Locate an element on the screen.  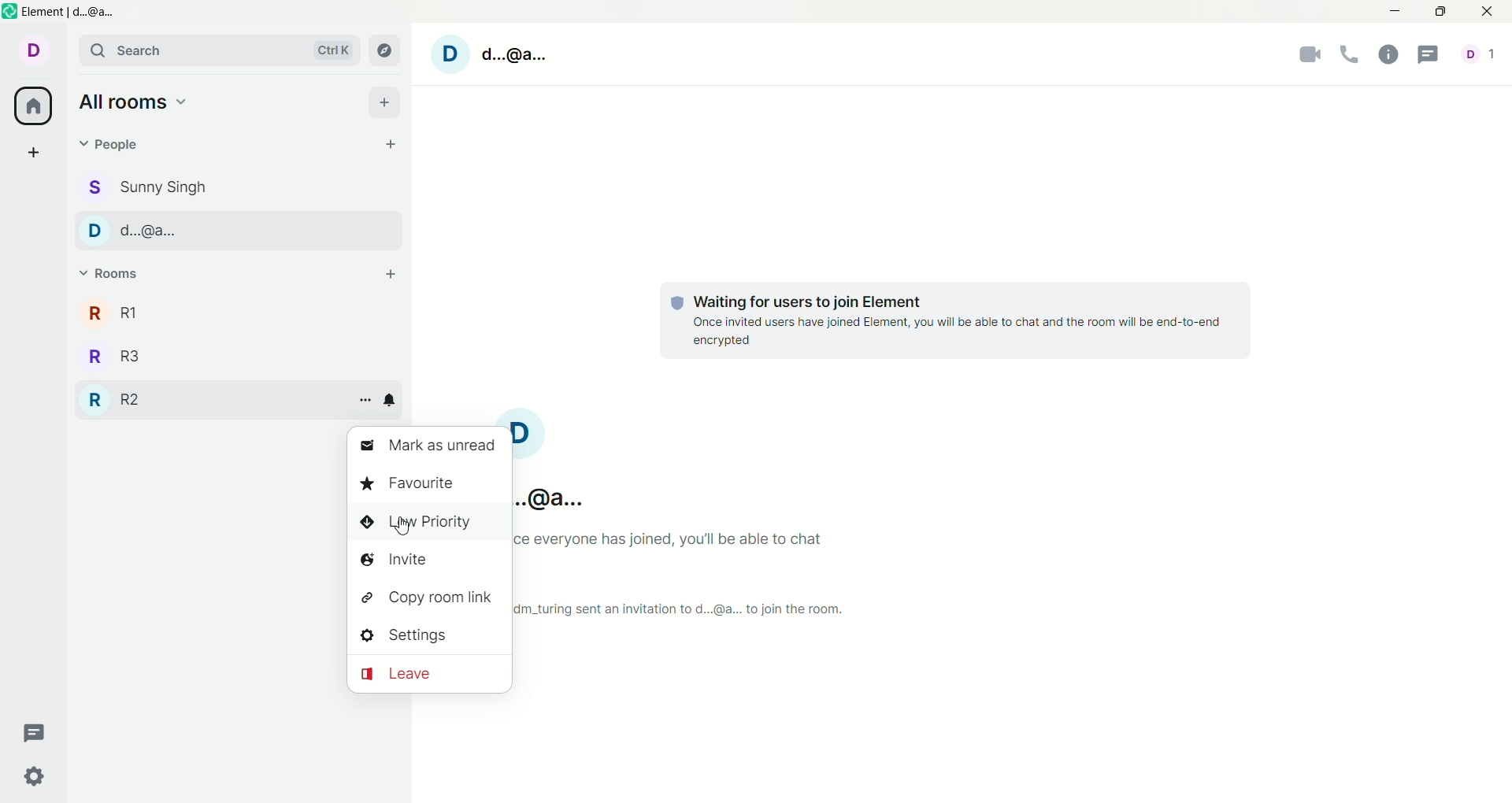
search is located at coordinates (212, 50).